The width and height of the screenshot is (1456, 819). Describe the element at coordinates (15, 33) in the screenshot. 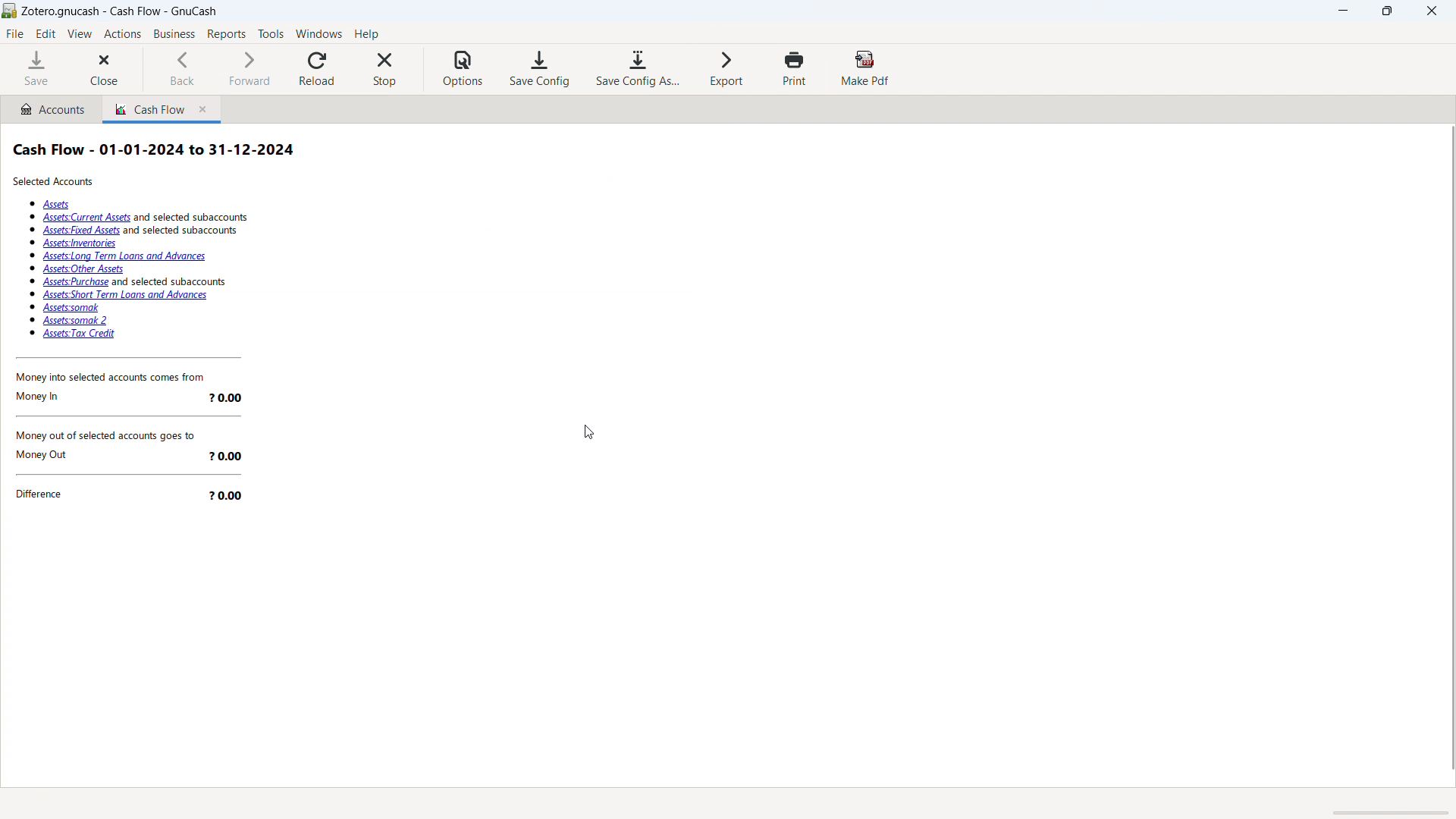

I see `file` at that location.